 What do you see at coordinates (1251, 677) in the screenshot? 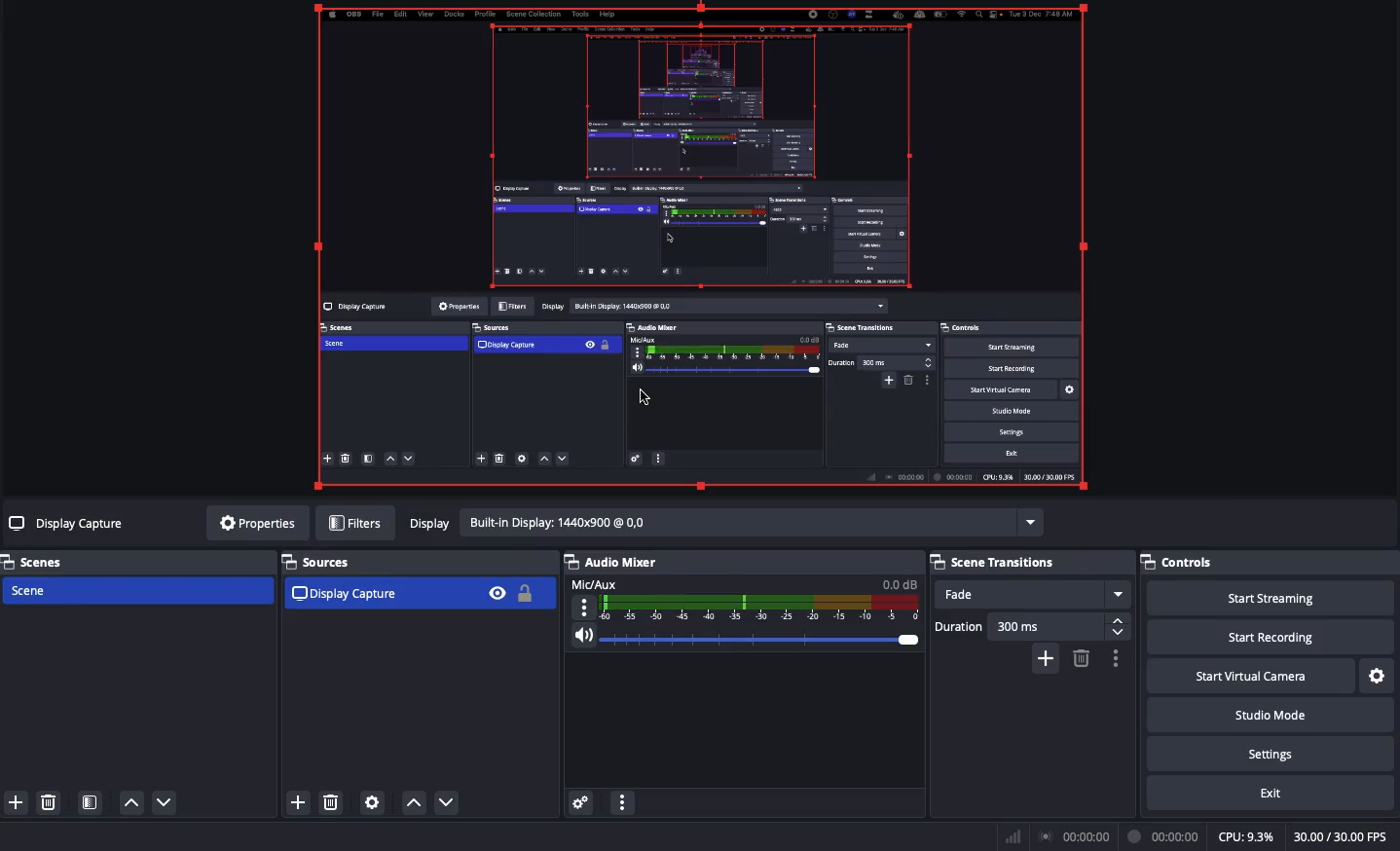
I see `Start virtual camera` at bounding box center [1251, 677].